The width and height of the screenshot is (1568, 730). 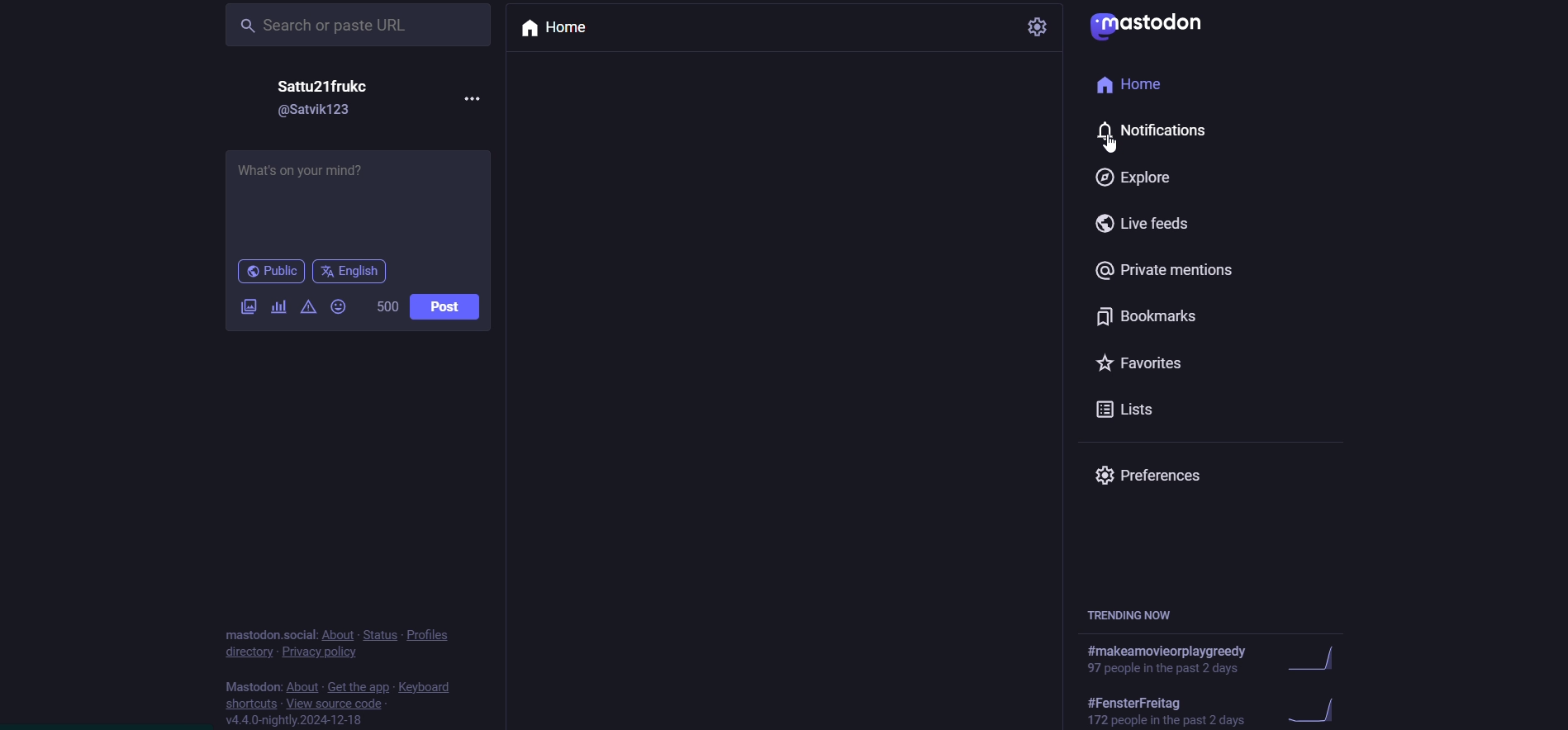 I want to click on about, so click(x=306, y=687).